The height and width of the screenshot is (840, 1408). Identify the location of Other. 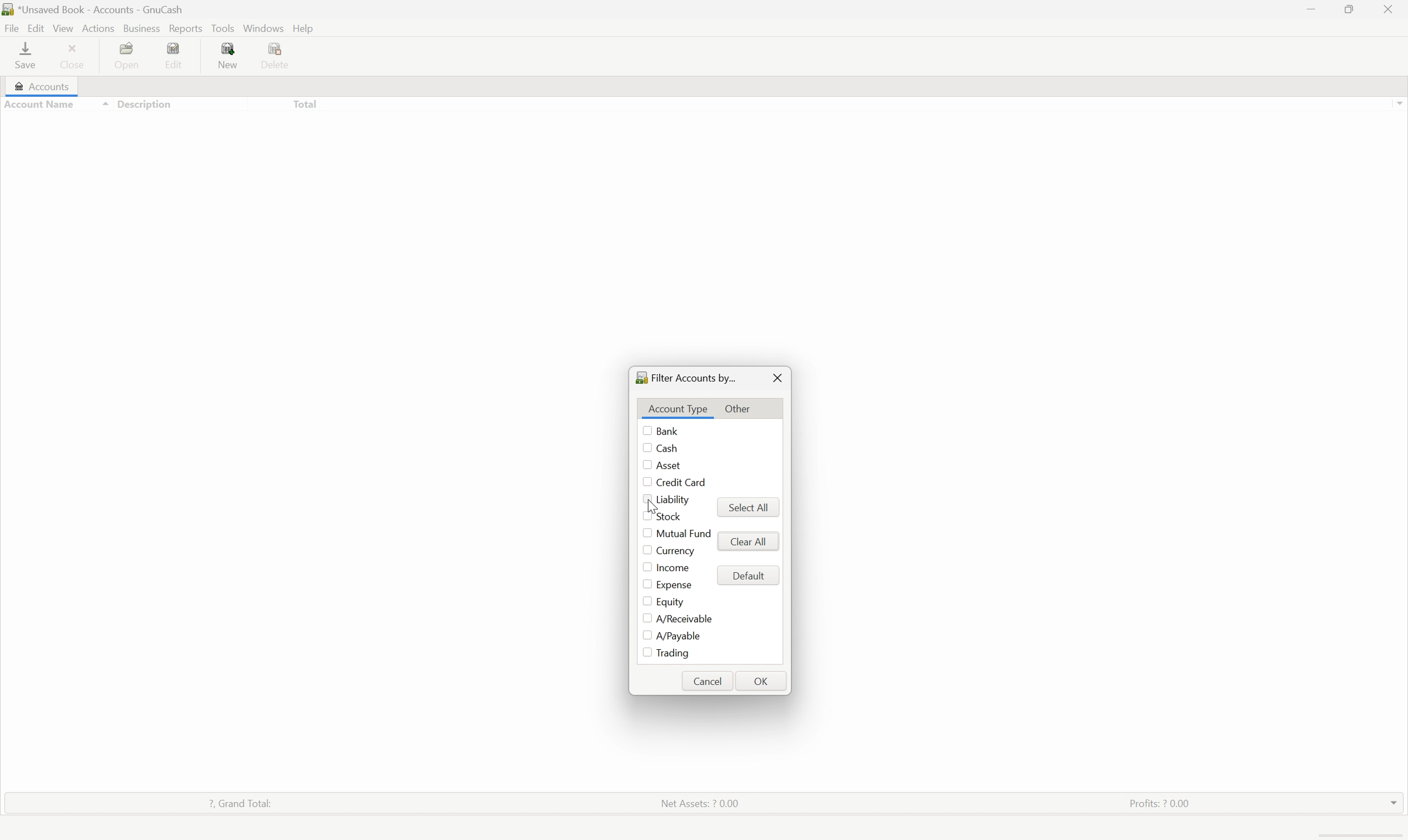
(739, 408).